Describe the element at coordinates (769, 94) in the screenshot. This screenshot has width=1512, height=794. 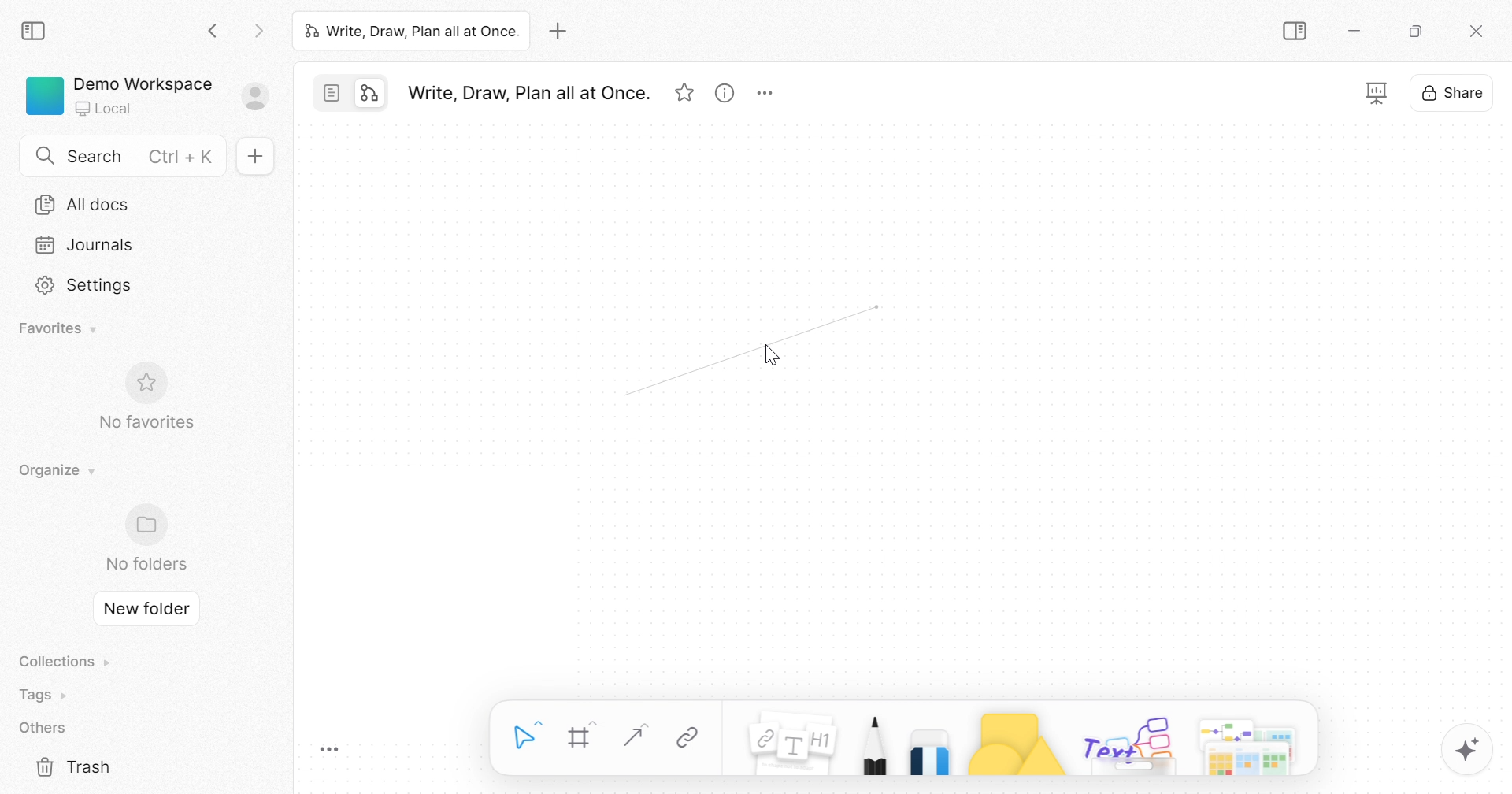
I see `More options` at that location.